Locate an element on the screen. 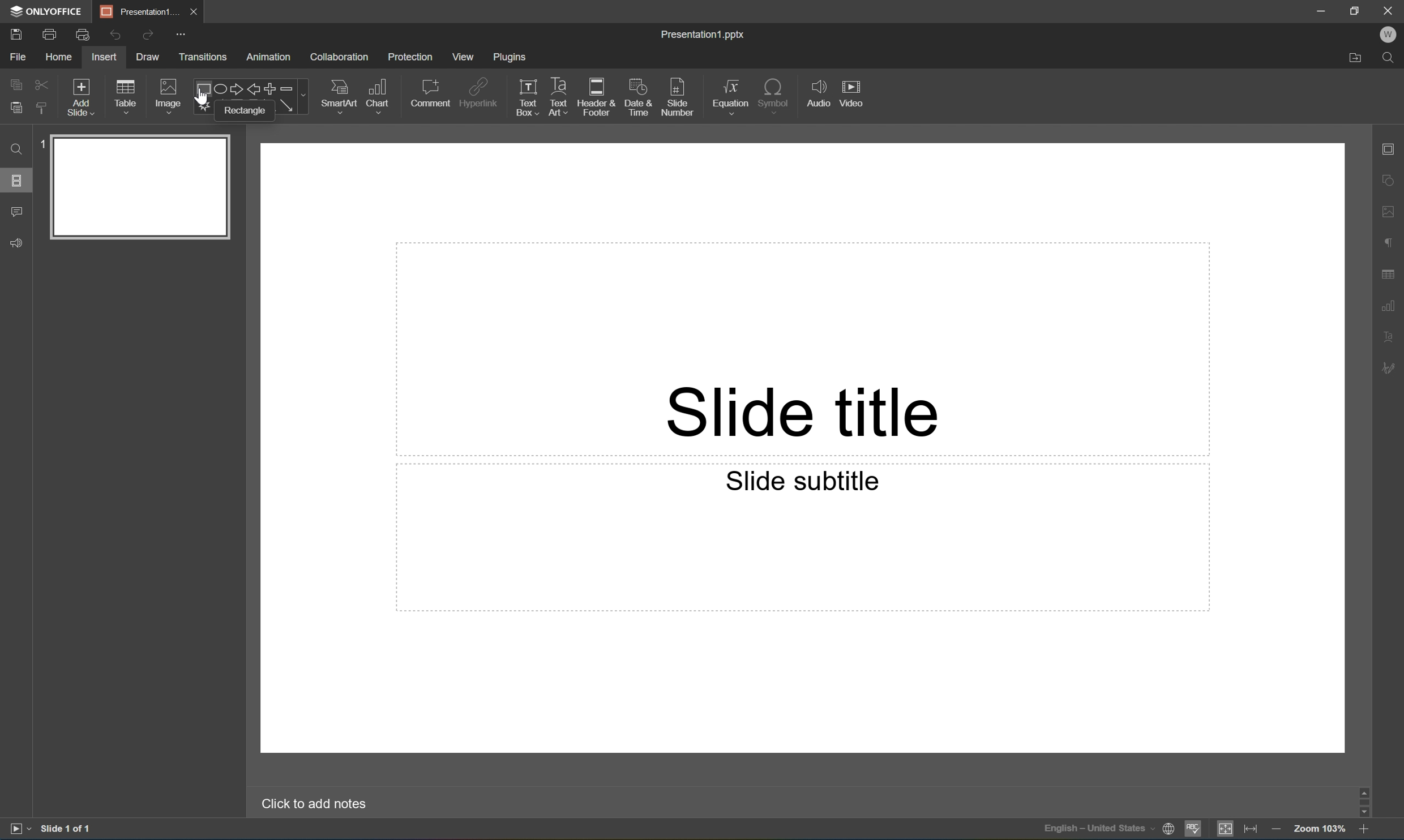  Print file is located at coordinates (52, 33).